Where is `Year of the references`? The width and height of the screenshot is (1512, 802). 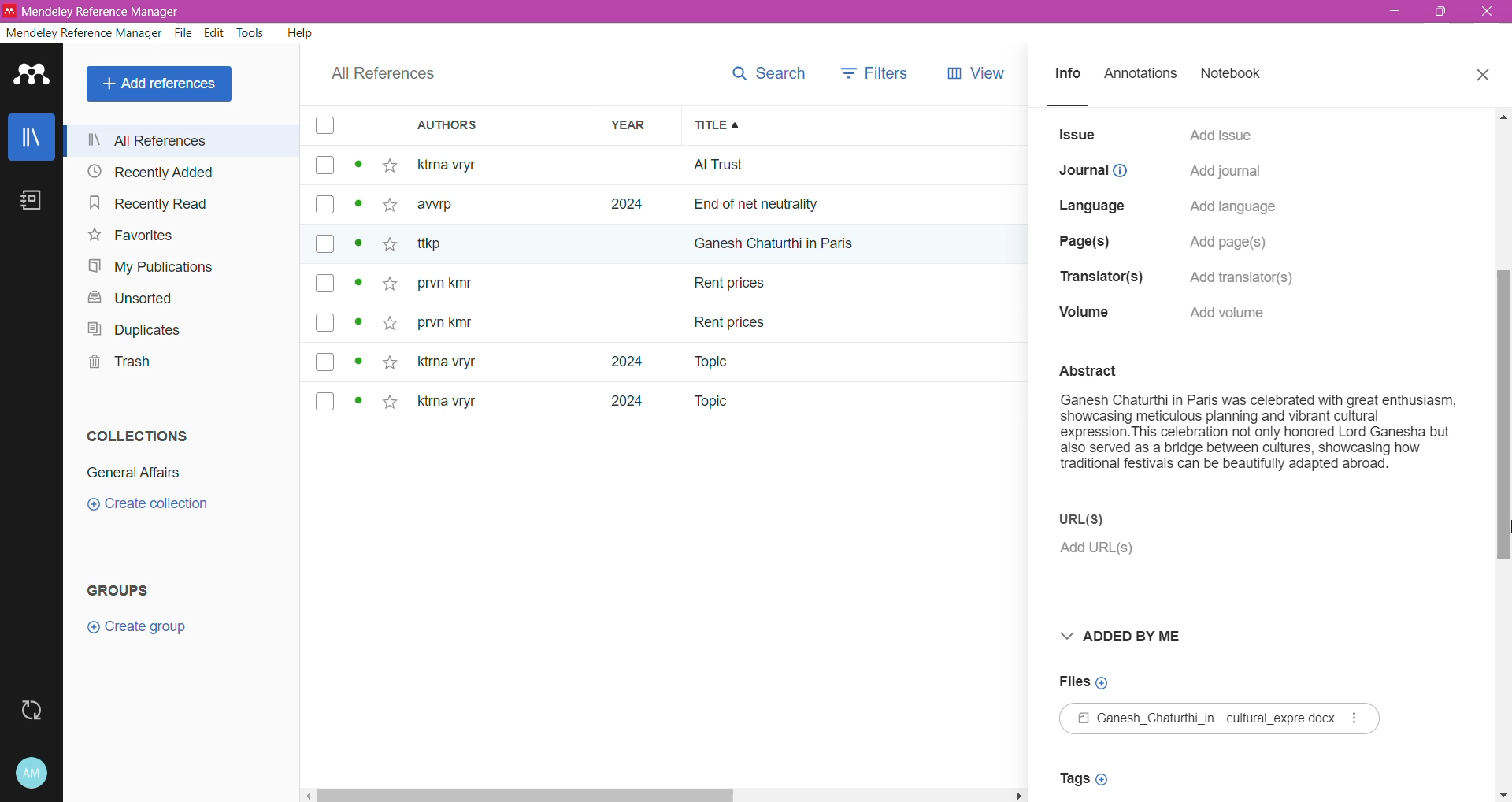 Year of the references is located at coordinates (640, 283).